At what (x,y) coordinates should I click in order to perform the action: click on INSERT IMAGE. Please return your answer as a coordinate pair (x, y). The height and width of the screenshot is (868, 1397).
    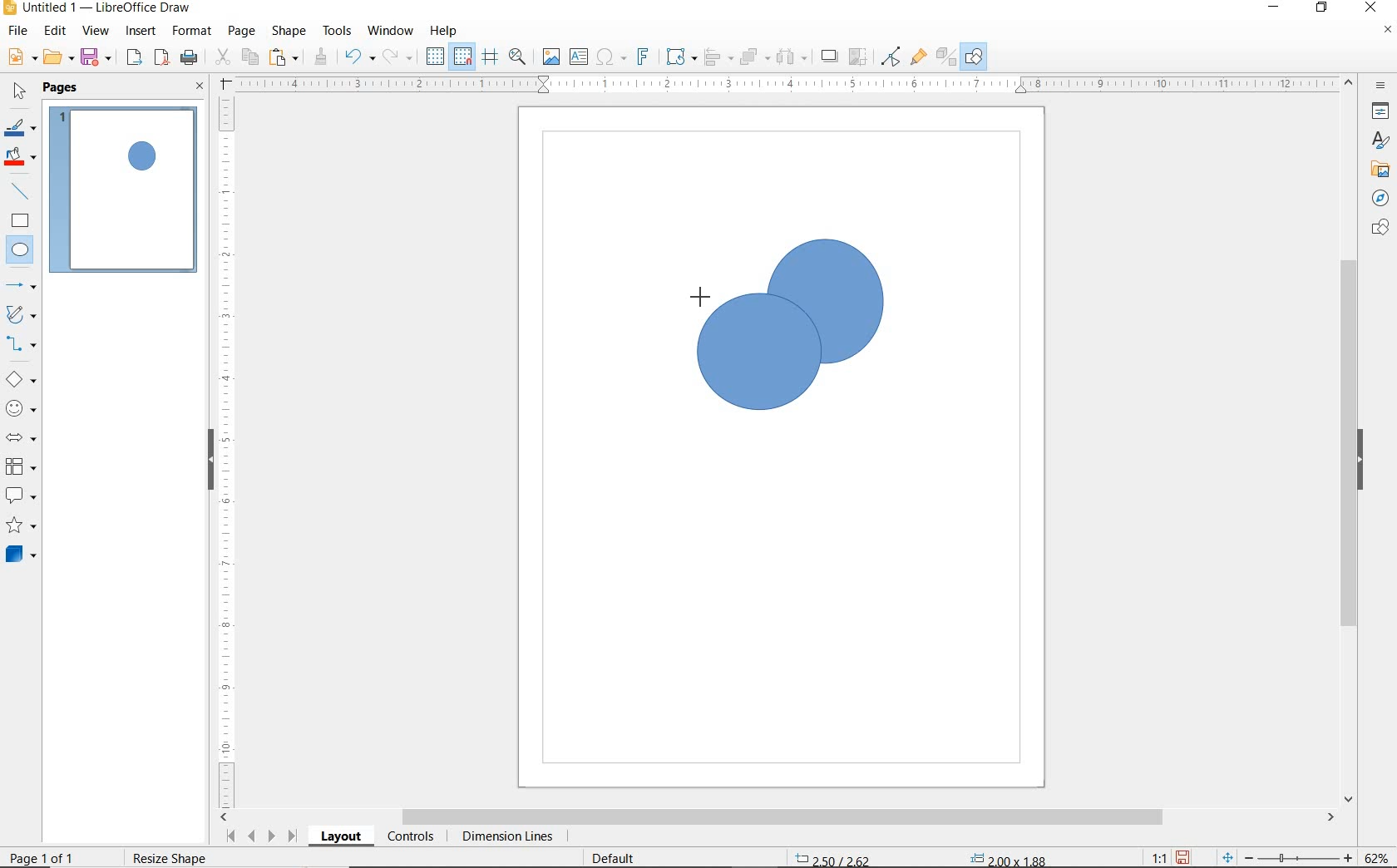
    Looking at the image, I should click on (551, 57).